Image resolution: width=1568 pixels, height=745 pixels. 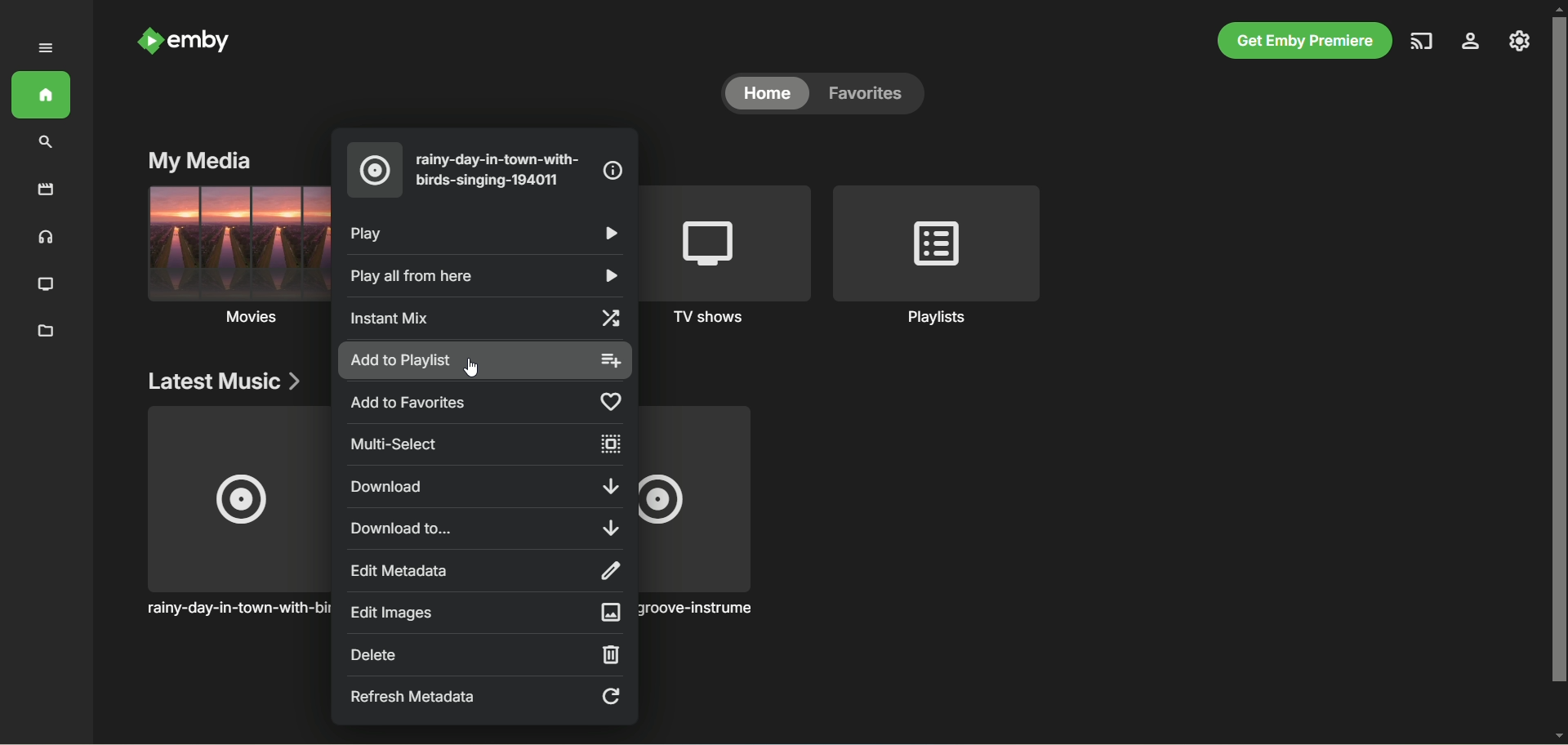 What do you see at coordinates (487, 656) in the screenshot?
I see `delete` at bounding box center [487, 656].